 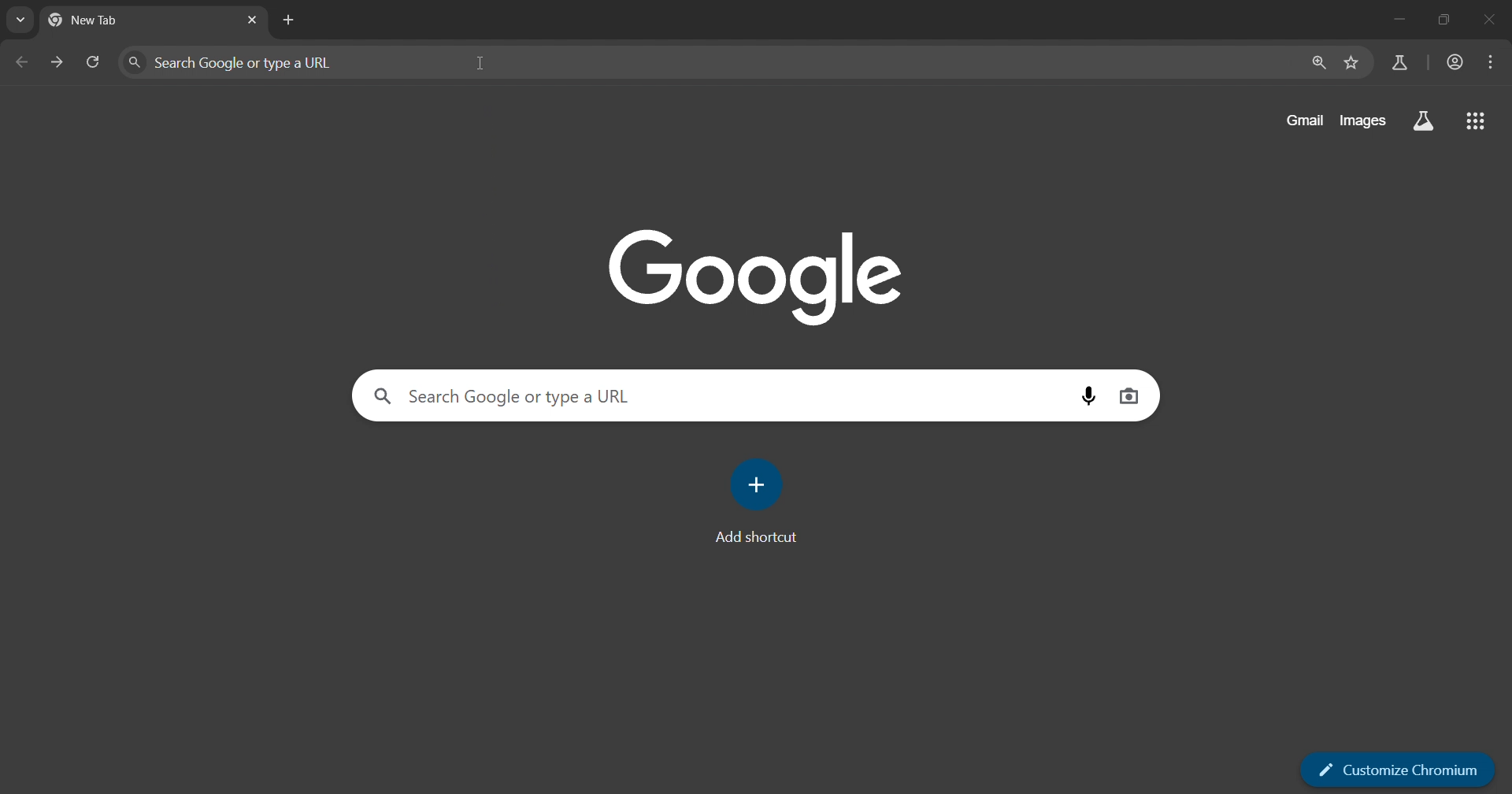 I want to click on restore down, so click(x=1442, y=21).